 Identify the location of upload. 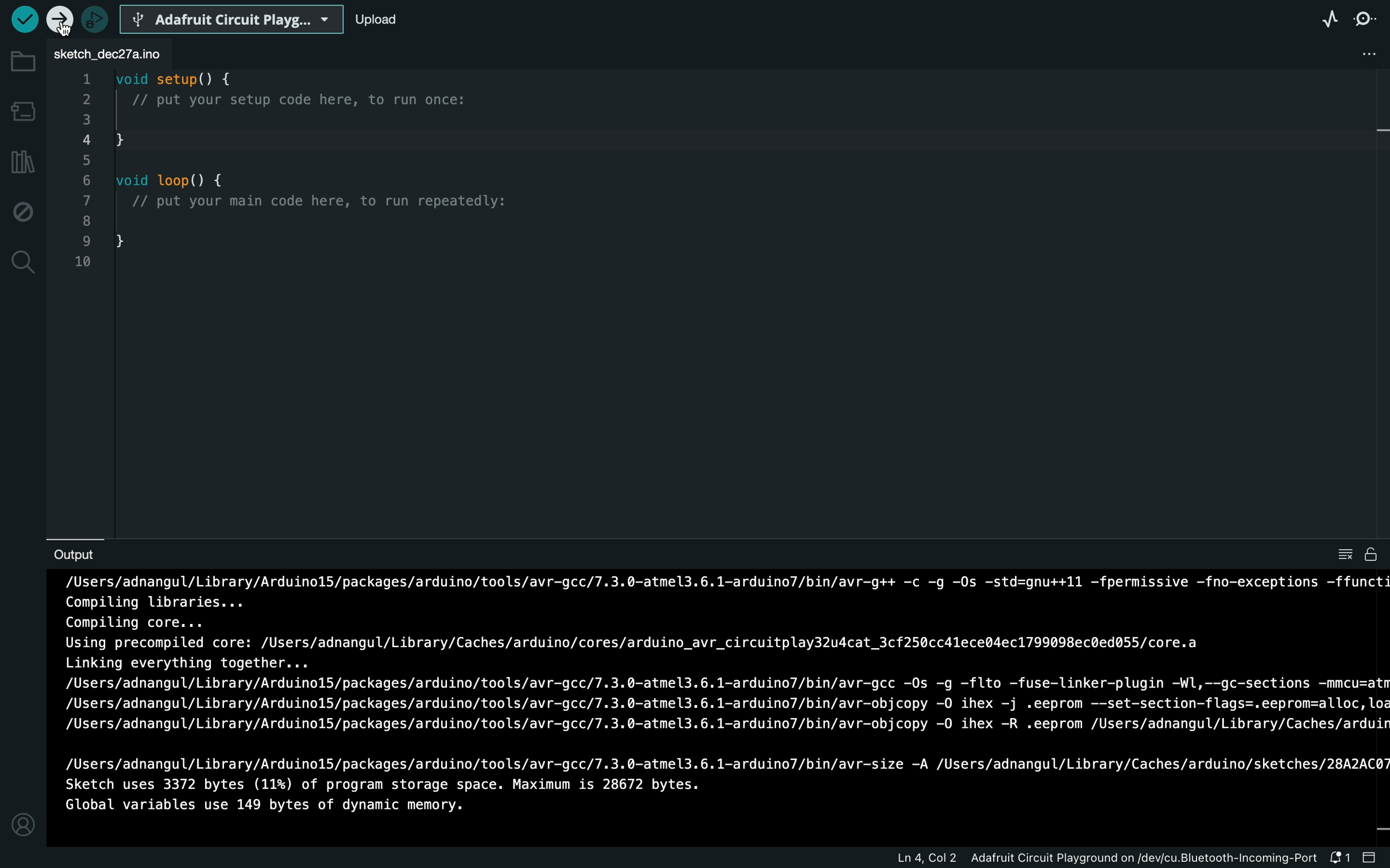
(379, 19).